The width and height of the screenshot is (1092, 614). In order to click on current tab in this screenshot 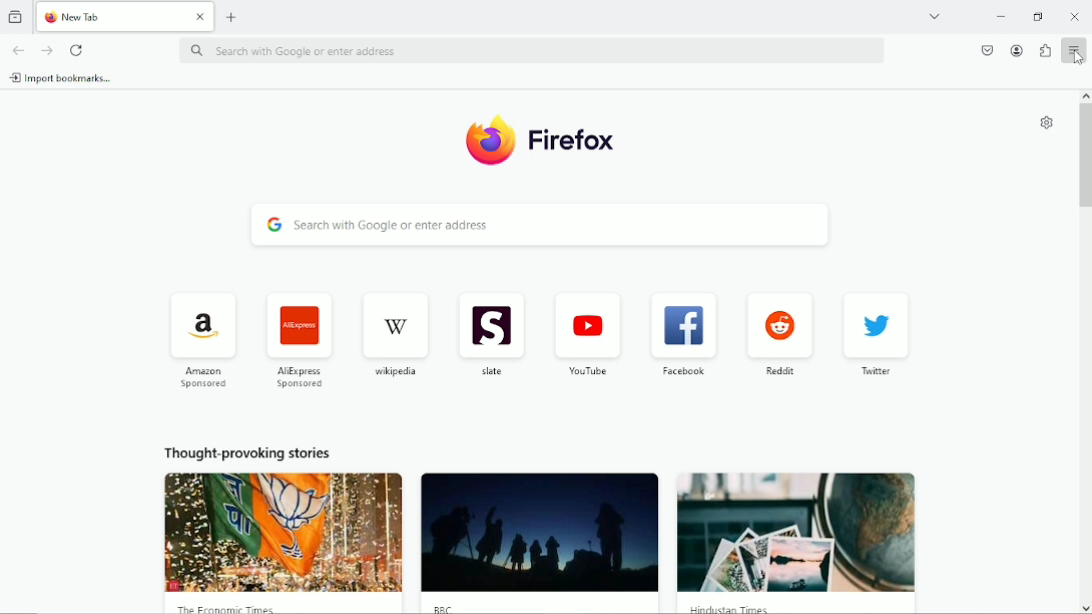, I will do `click(111, 16)`.